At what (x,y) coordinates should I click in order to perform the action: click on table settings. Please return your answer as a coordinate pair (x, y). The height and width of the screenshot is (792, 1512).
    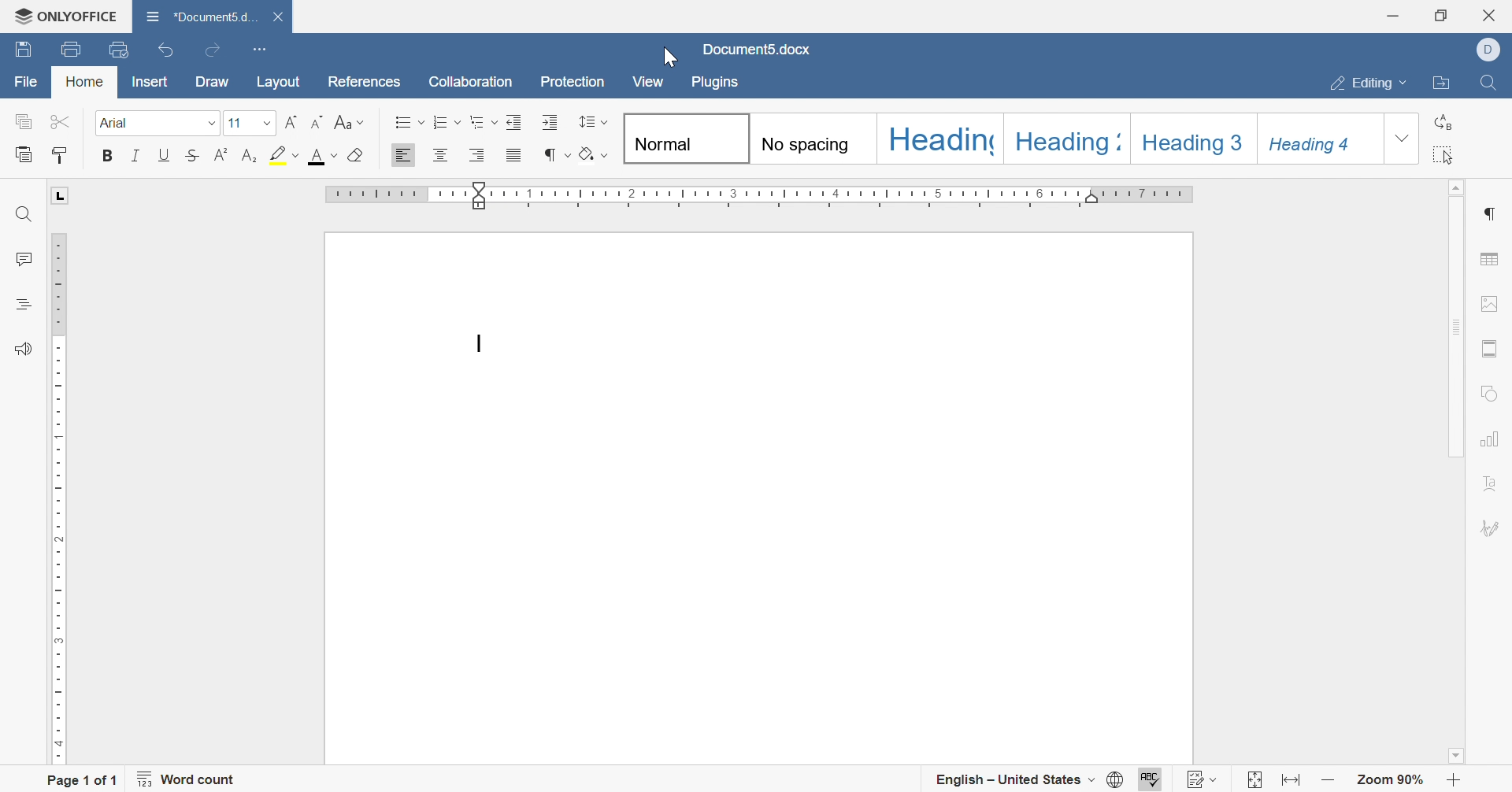
    Looking at the image, I should click on (1492, 260).